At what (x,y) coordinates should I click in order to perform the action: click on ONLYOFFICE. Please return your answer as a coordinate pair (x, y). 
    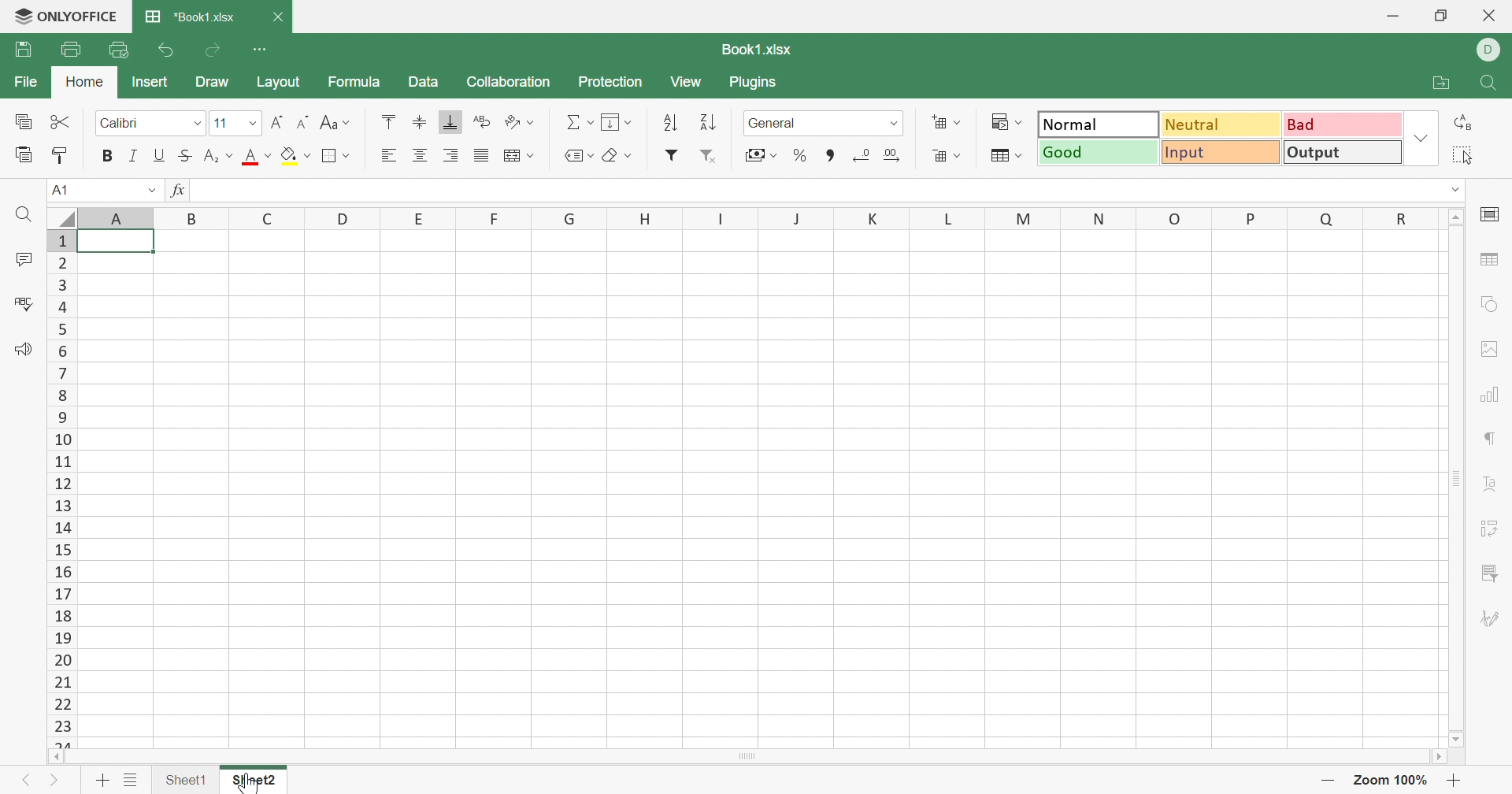
    Looking at the image, I should click on (67, 14).